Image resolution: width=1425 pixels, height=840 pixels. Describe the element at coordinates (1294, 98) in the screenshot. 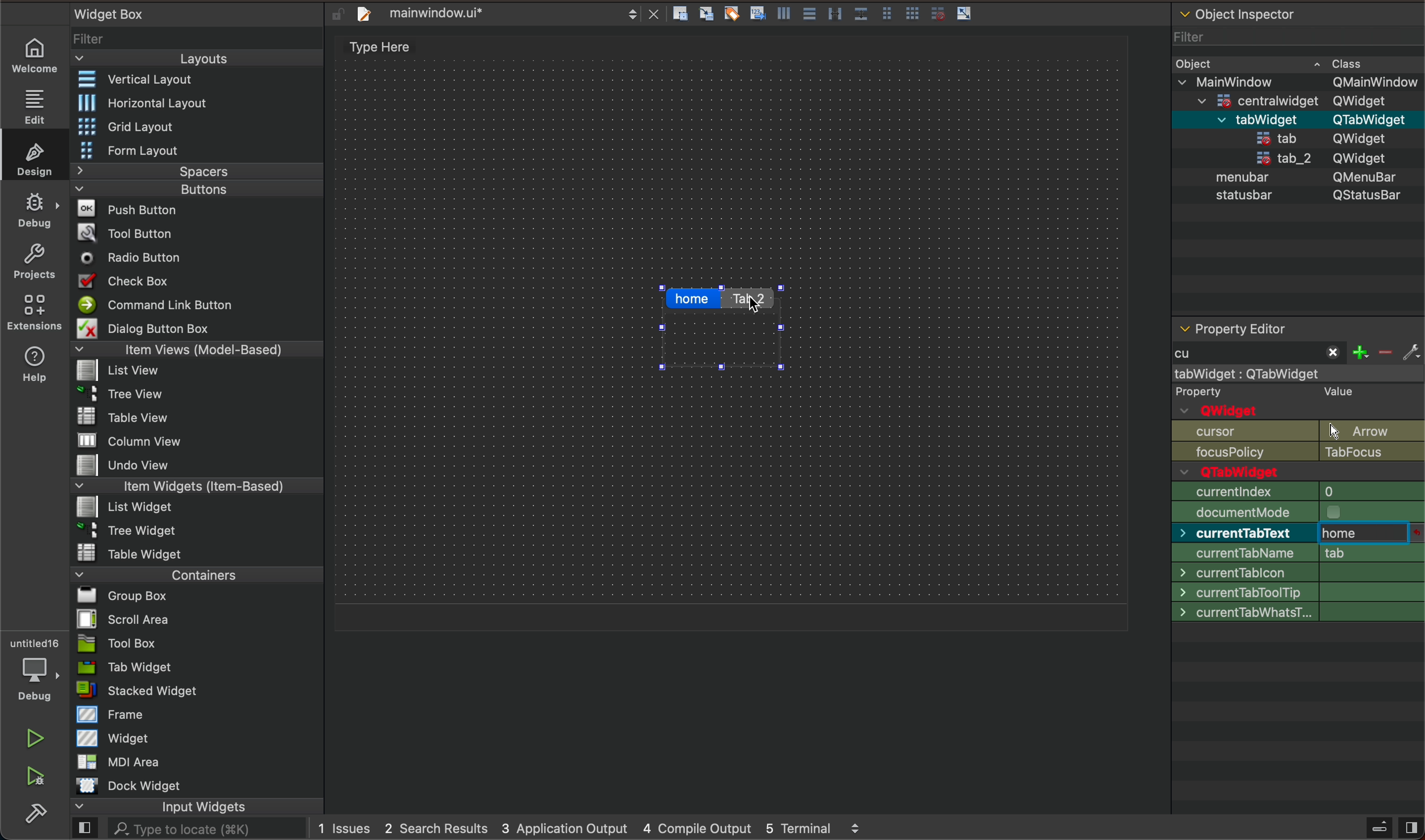

I see `=centralwidaet OWidaet` at that location.